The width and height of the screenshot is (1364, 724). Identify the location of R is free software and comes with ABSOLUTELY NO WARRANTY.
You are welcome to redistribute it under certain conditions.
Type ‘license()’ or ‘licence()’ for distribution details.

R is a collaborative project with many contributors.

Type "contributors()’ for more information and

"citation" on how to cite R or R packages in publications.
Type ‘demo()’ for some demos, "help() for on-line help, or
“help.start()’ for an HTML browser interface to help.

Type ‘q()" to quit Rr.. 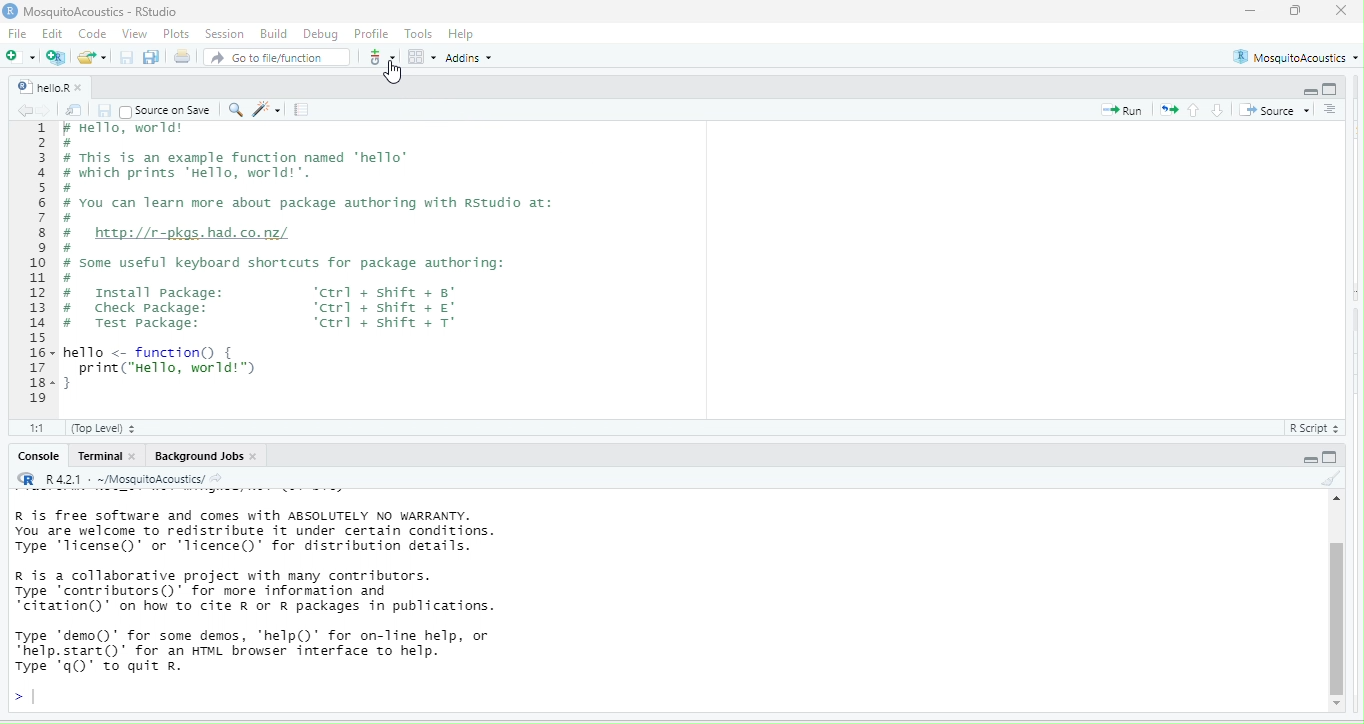
(324, 593).